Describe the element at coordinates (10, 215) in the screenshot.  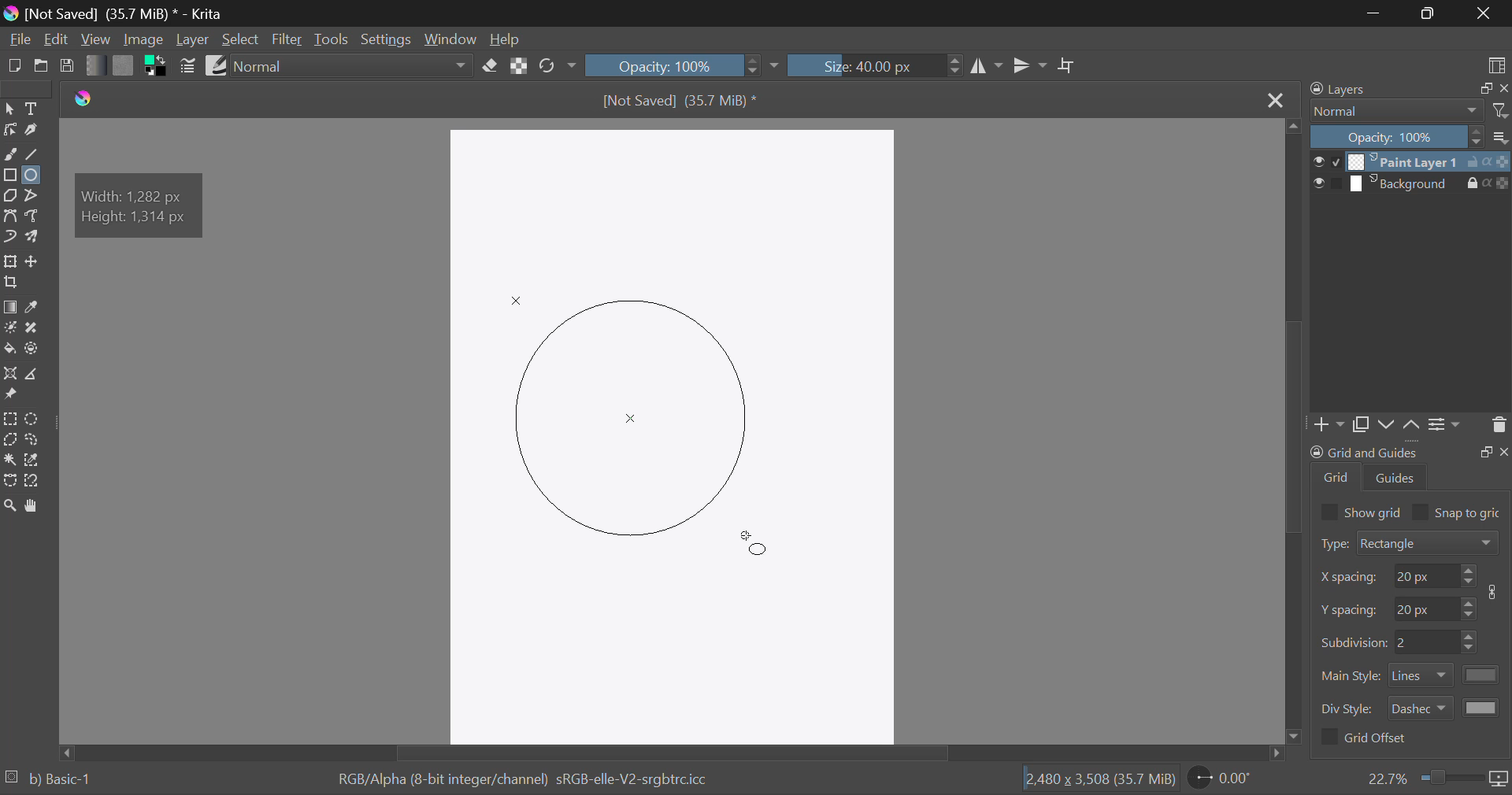
I see `Bezier Curve` at that location.